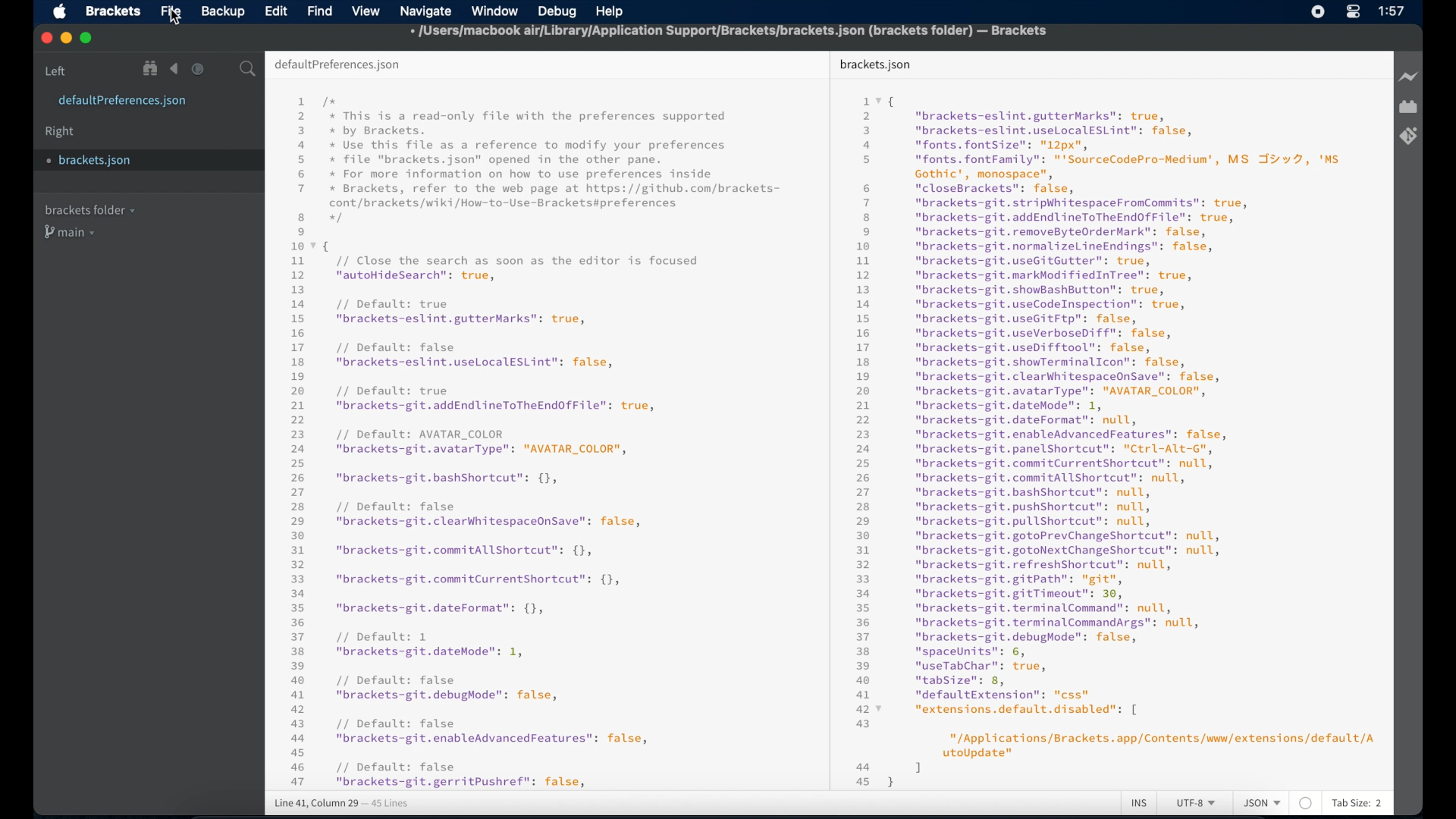 This screenshot has width=1456, height=819. I want to click on live preview, so click(1407, 77).